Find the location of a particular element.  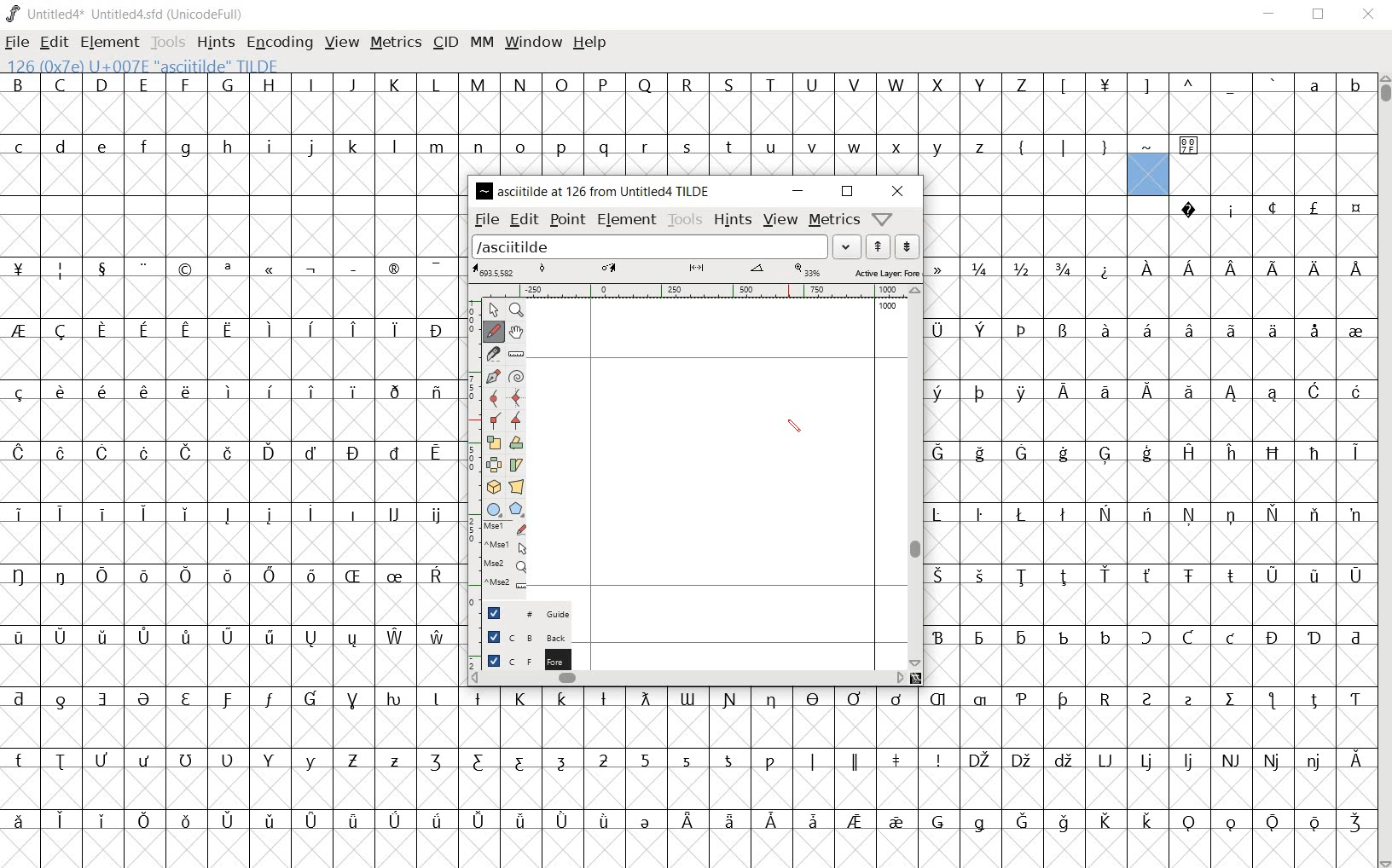

minimize is located at coordinates (797, 190).